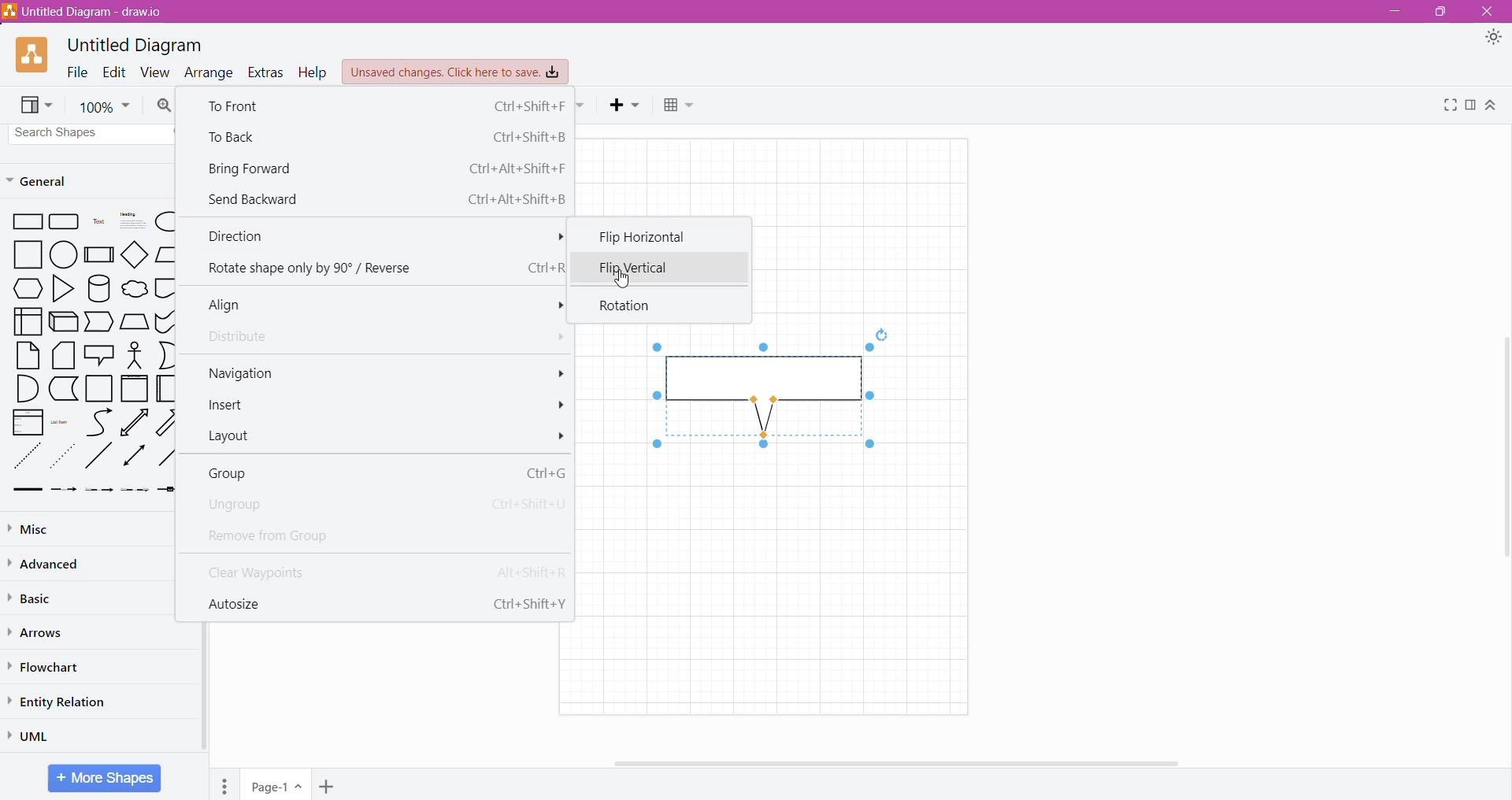 This screenshot has width=1512, height=800. What do you see at coordinates (620, 279) in the screenshot?
I see `Cursor on Flip vertical` at bounding box center [620, 279].